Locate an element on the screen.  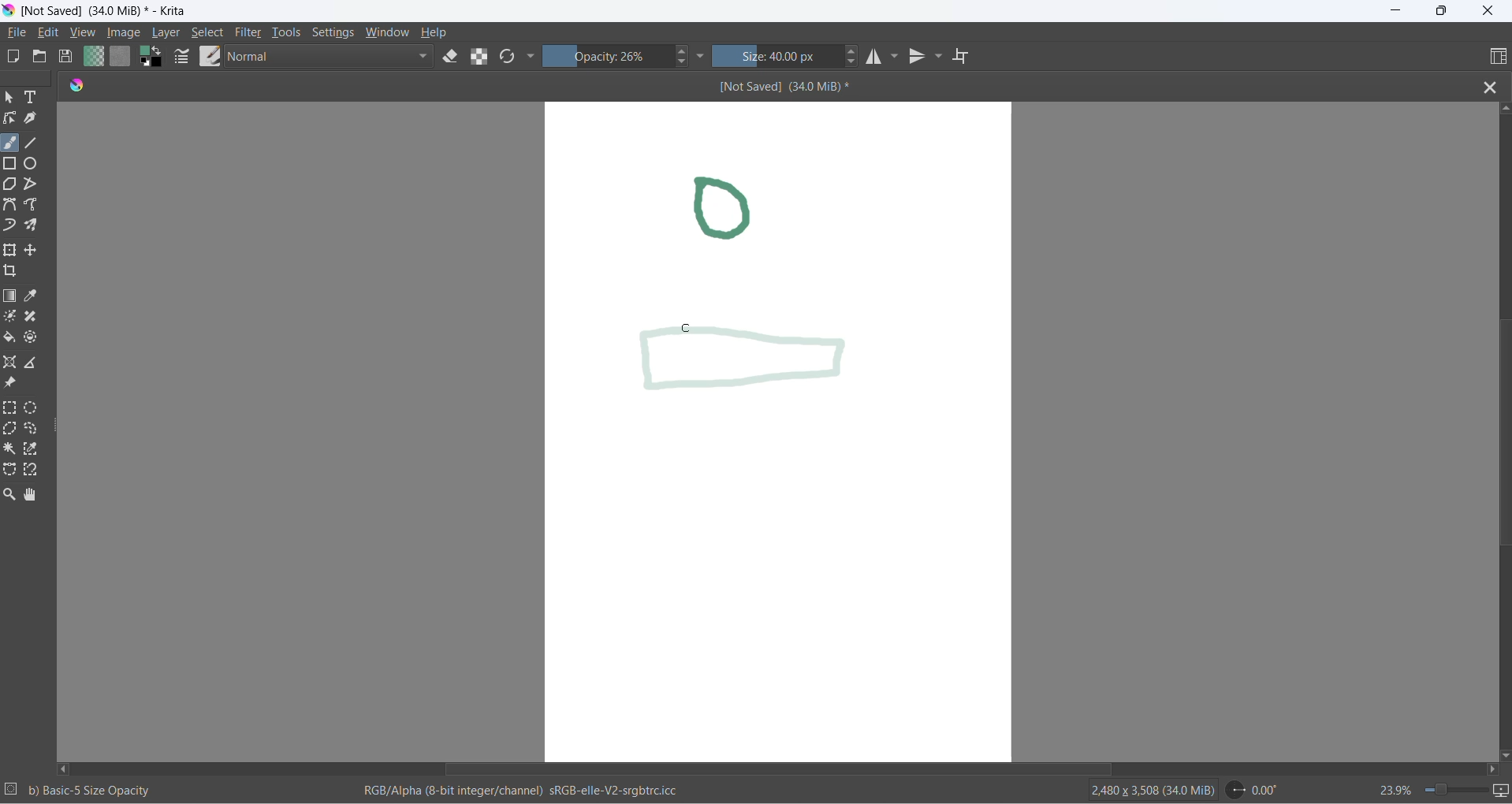
polyline tool is located at coordinates (35, 184).